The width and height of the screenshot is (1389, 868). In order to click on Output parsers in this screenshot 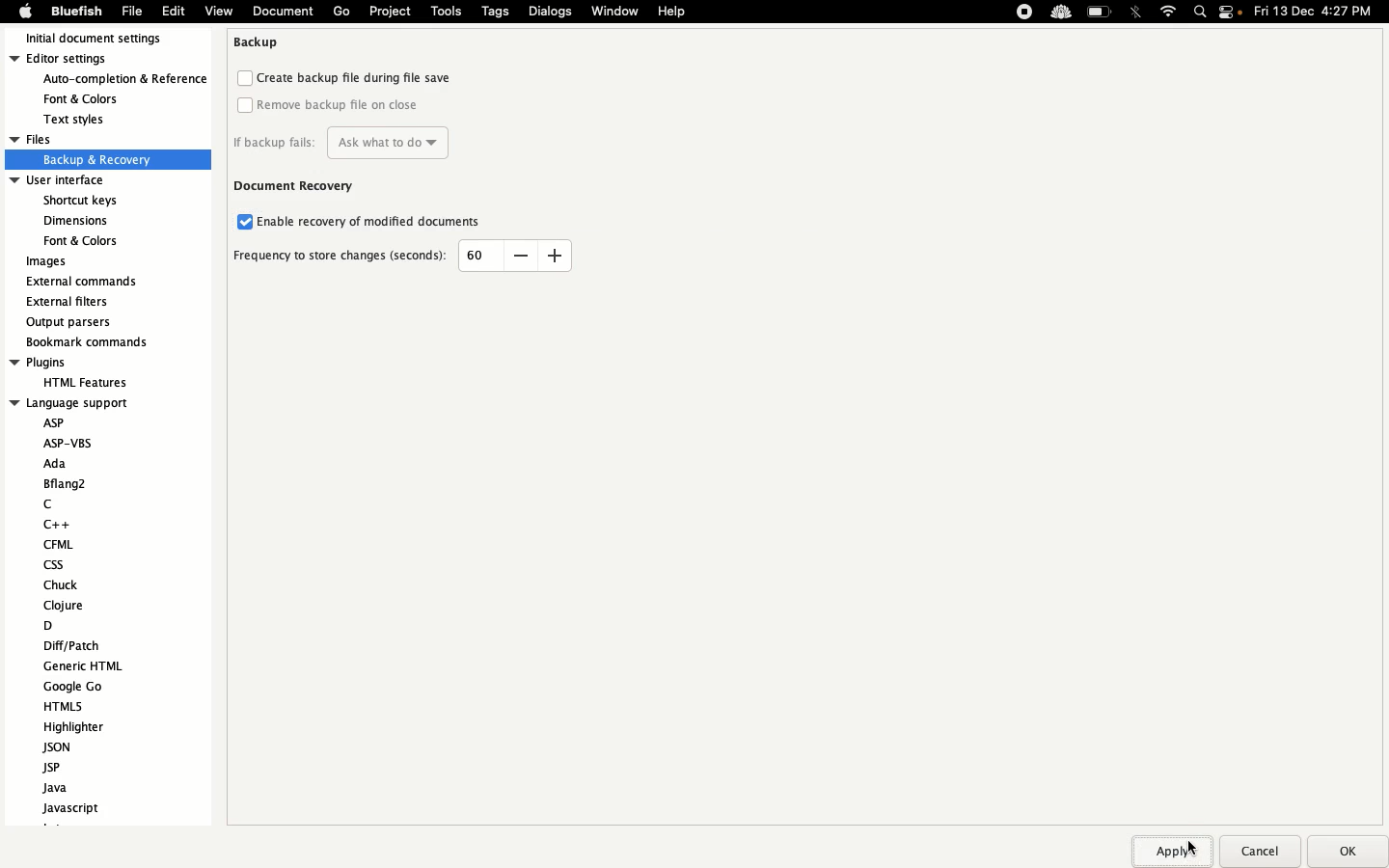, I will do `click(70, 324)`.